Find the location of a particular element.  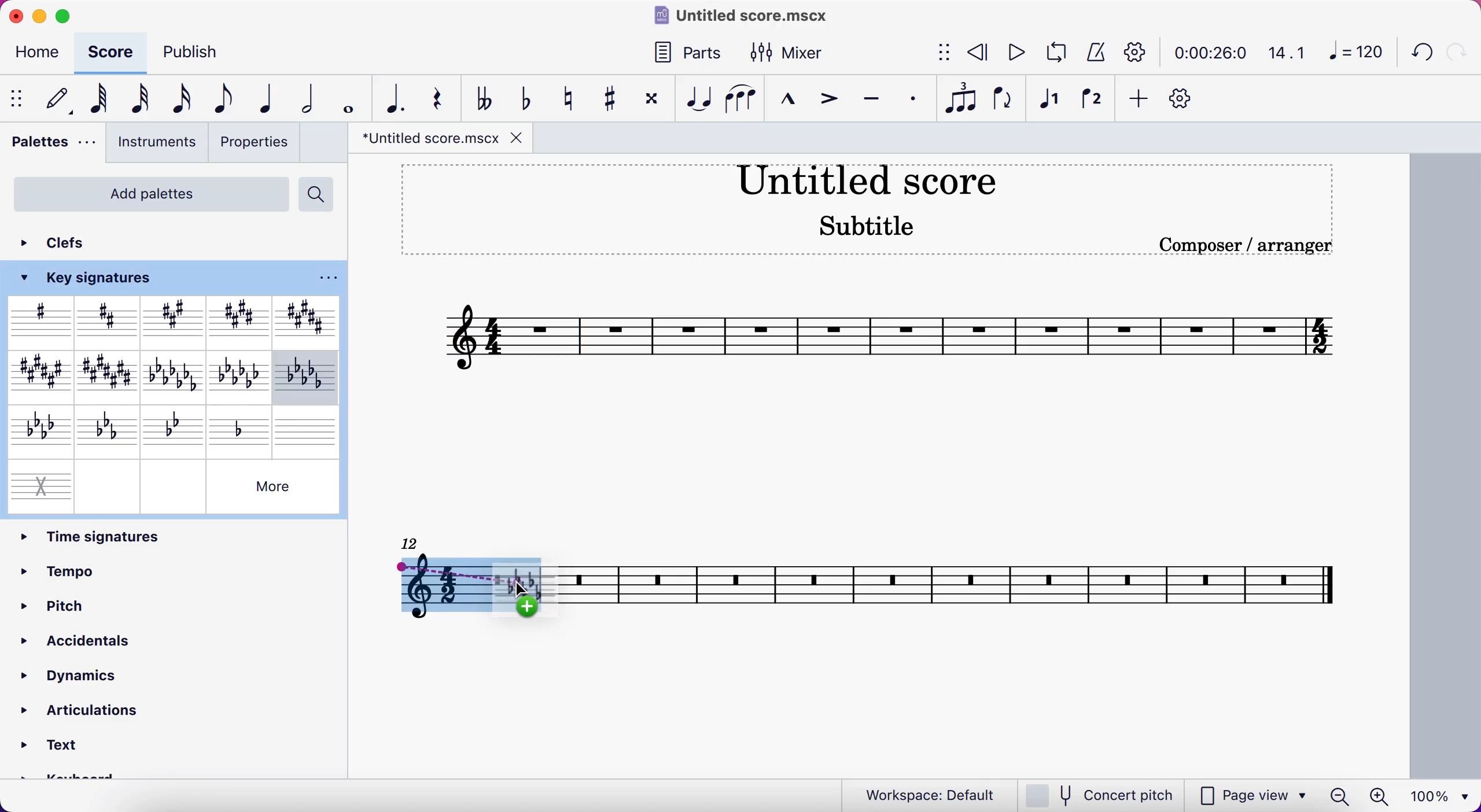

home is located at coordinates (38, 53).